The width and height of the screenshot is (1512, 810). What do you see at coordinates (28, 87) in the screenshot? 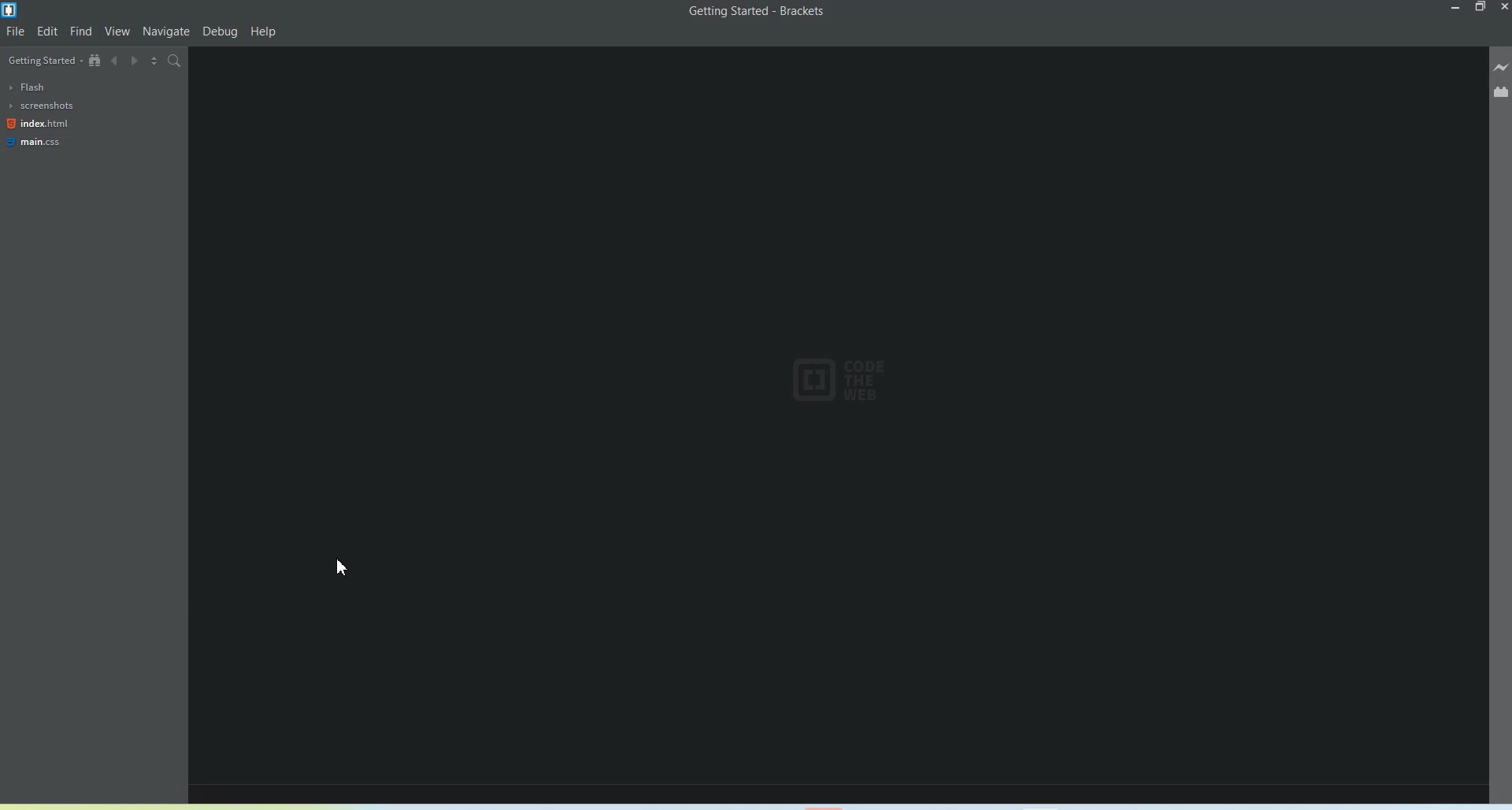
I see `Flash` at bounding box center [28, 87].